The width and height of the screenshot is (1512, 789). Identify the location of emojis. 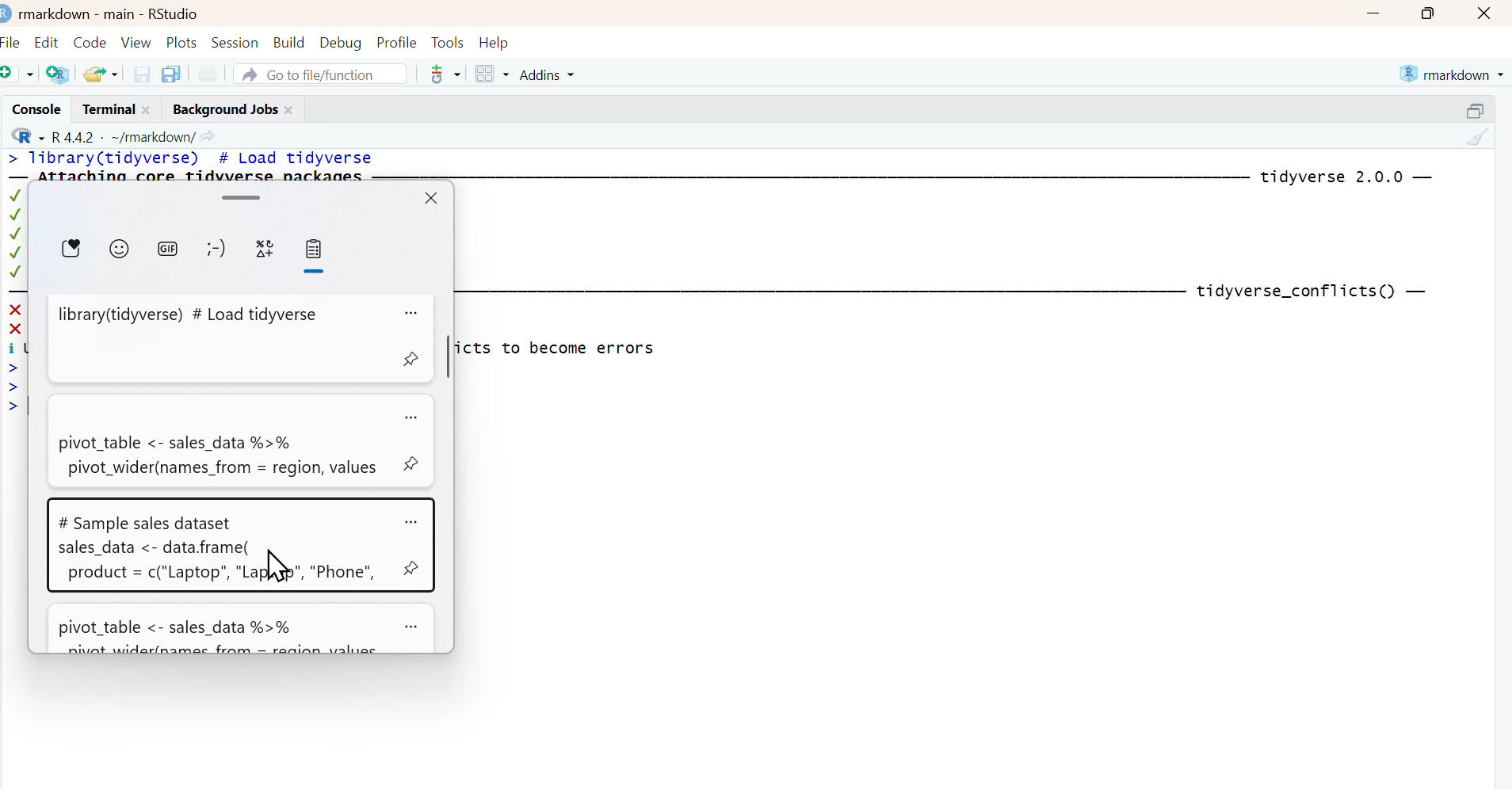
(120, 251).